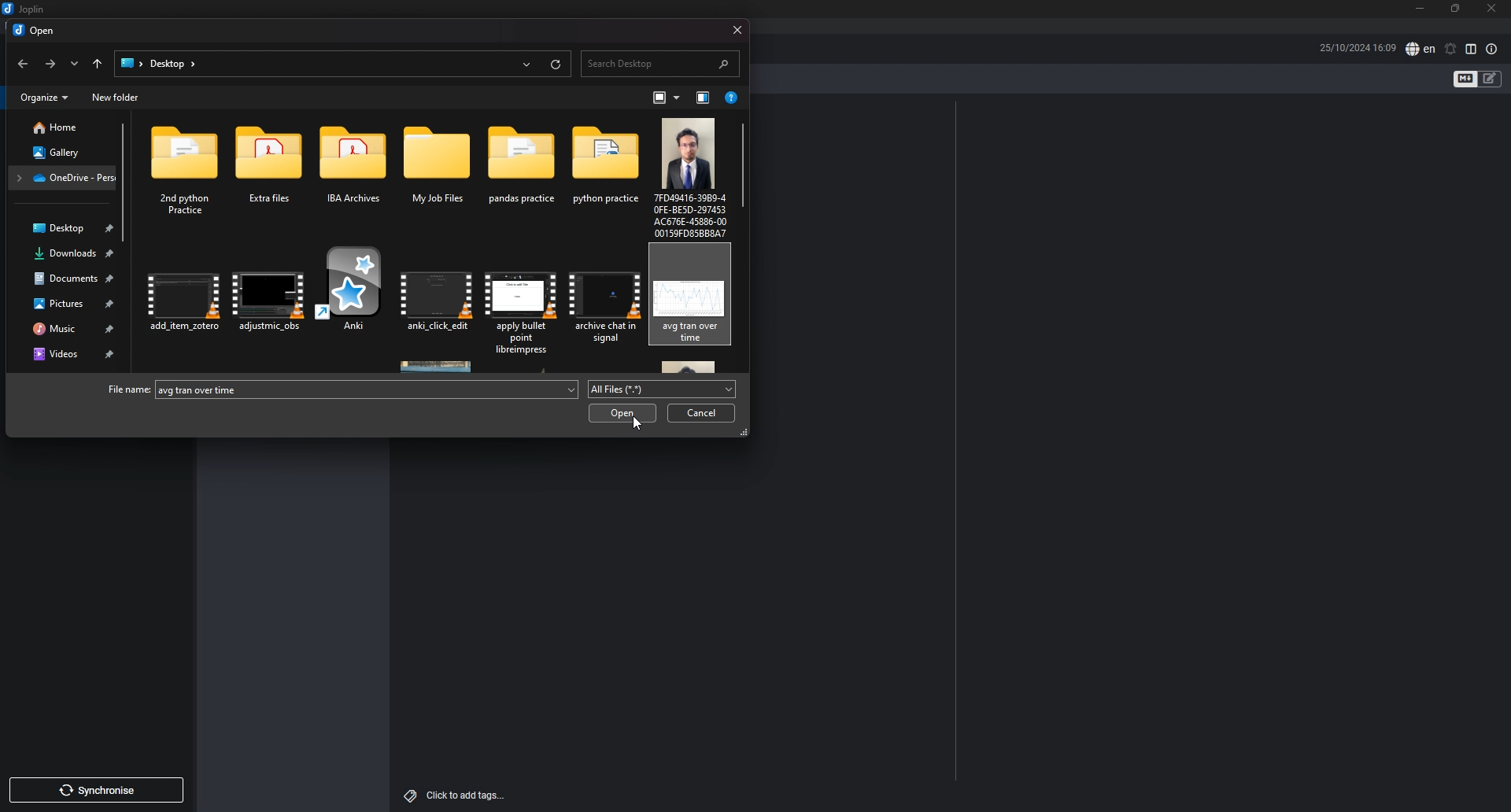 This screenshot has height=812, width=1511. What do you see at coordinates (733, 28) in the screenshot?
I see `close` at bounding box center [733, 28].